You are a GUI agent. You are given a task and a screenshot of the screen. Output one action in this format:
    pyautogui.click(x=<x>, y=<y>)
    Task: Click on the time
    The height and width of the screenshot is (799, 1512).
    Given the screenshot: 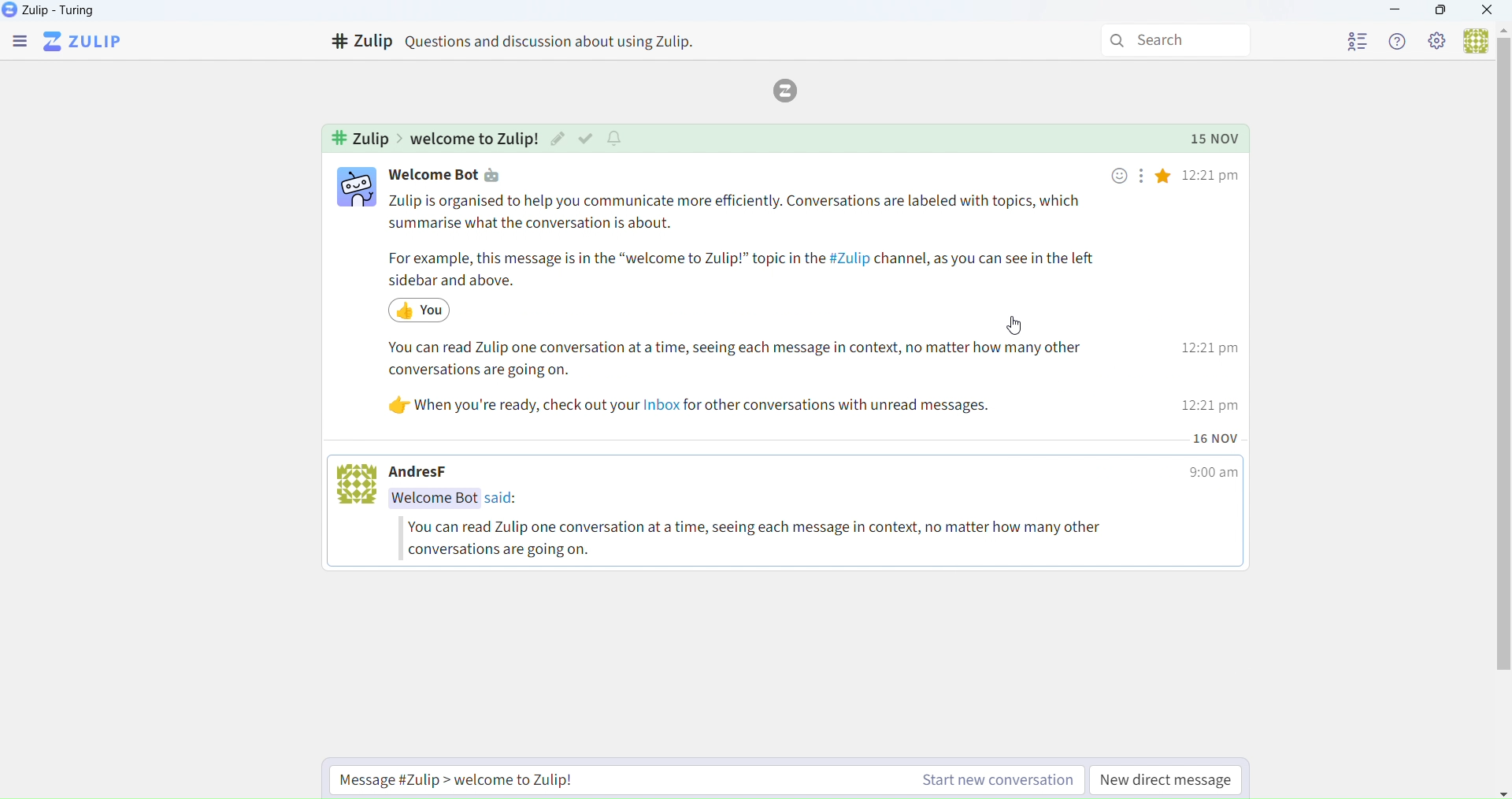 What is the action you would take?
    pyautogui.click(x=1212, y=476)
    